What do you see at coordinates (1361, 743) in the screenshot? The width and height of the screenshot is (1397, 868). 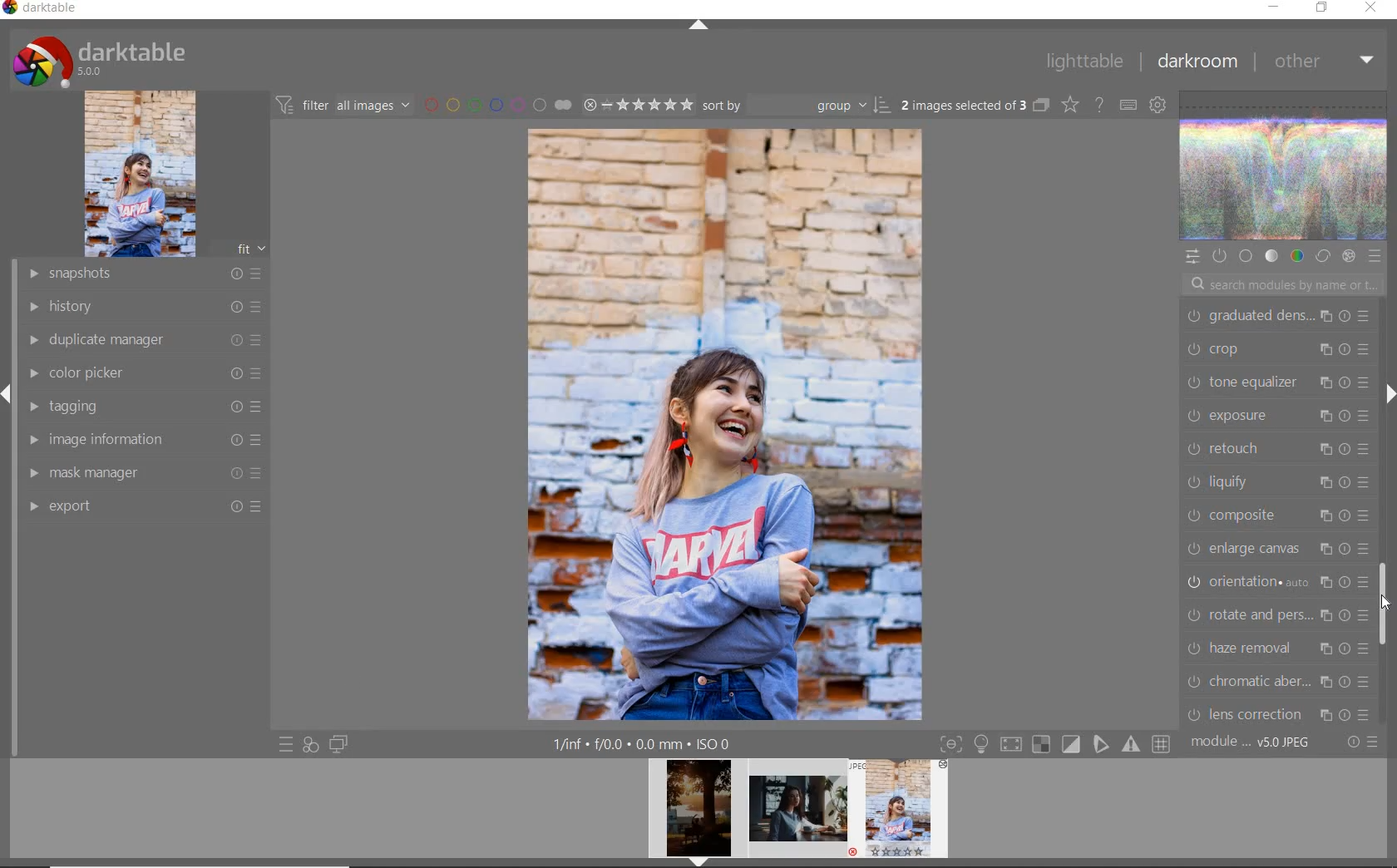 I see `reset or preset preference` at bounding box center [1361, 743].